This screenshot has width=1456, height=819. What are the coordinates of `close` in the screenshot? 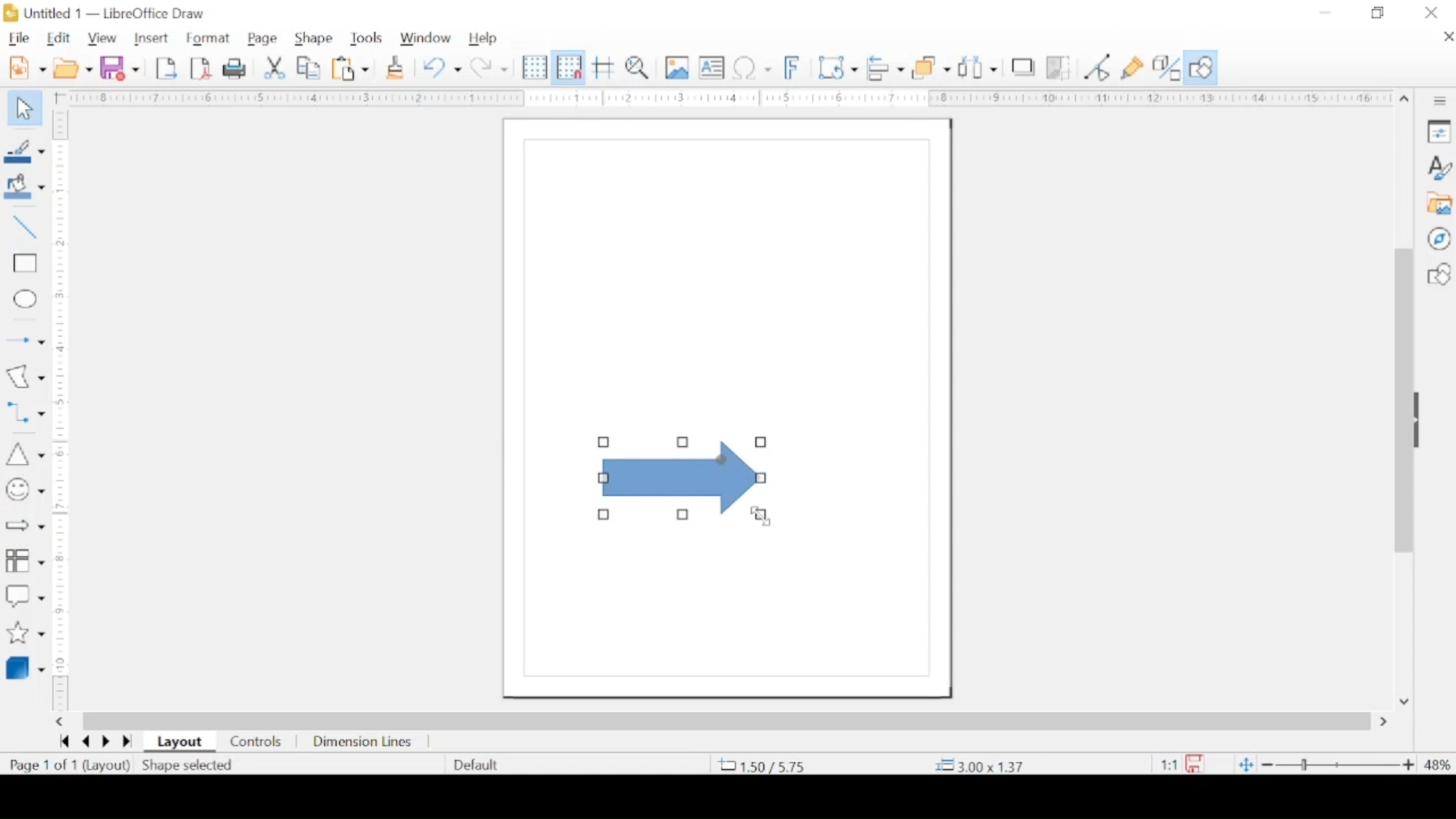 It's located at (1432, 13).